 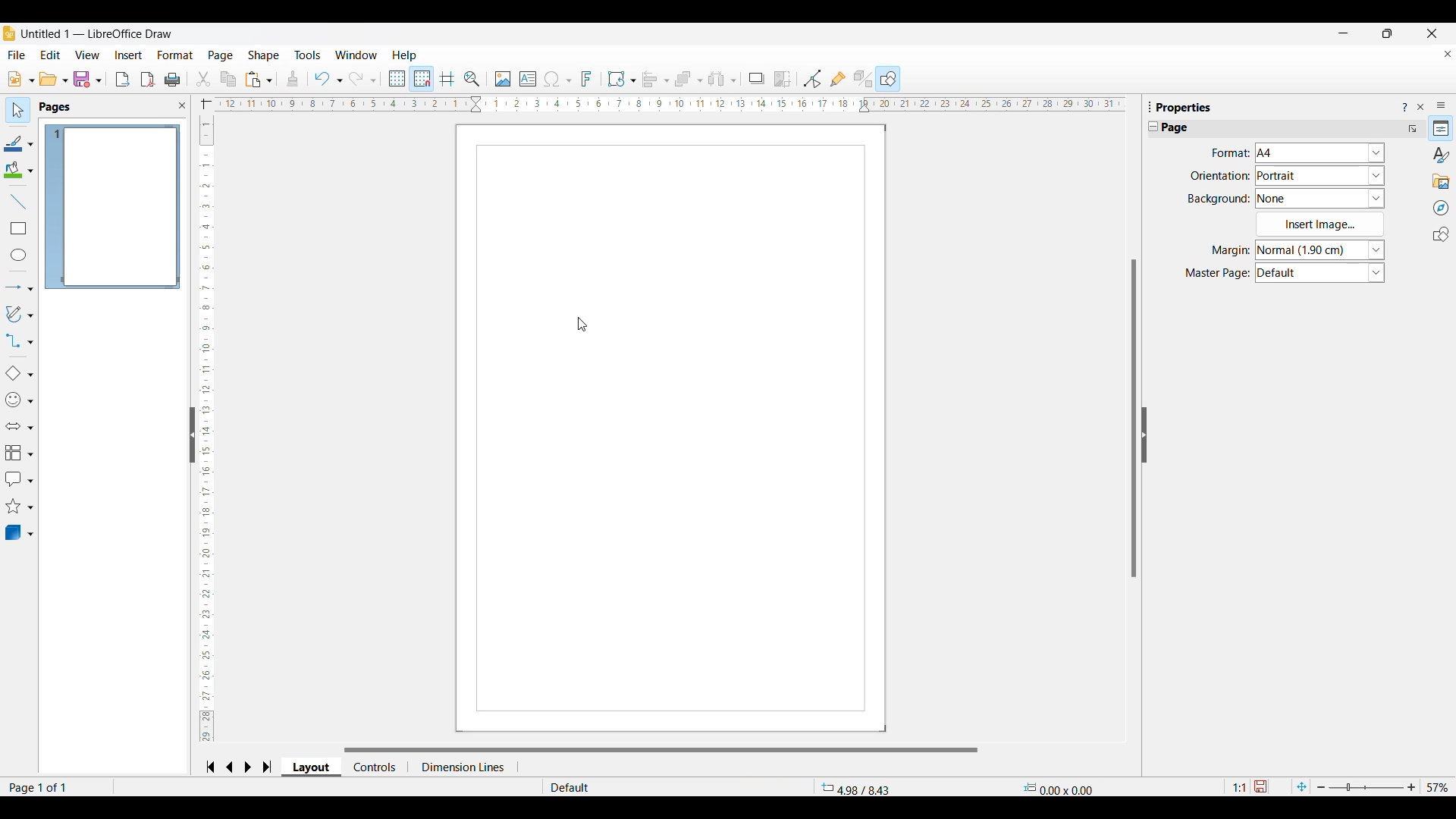 I want to click on Background, so click(x=1219, y=199).